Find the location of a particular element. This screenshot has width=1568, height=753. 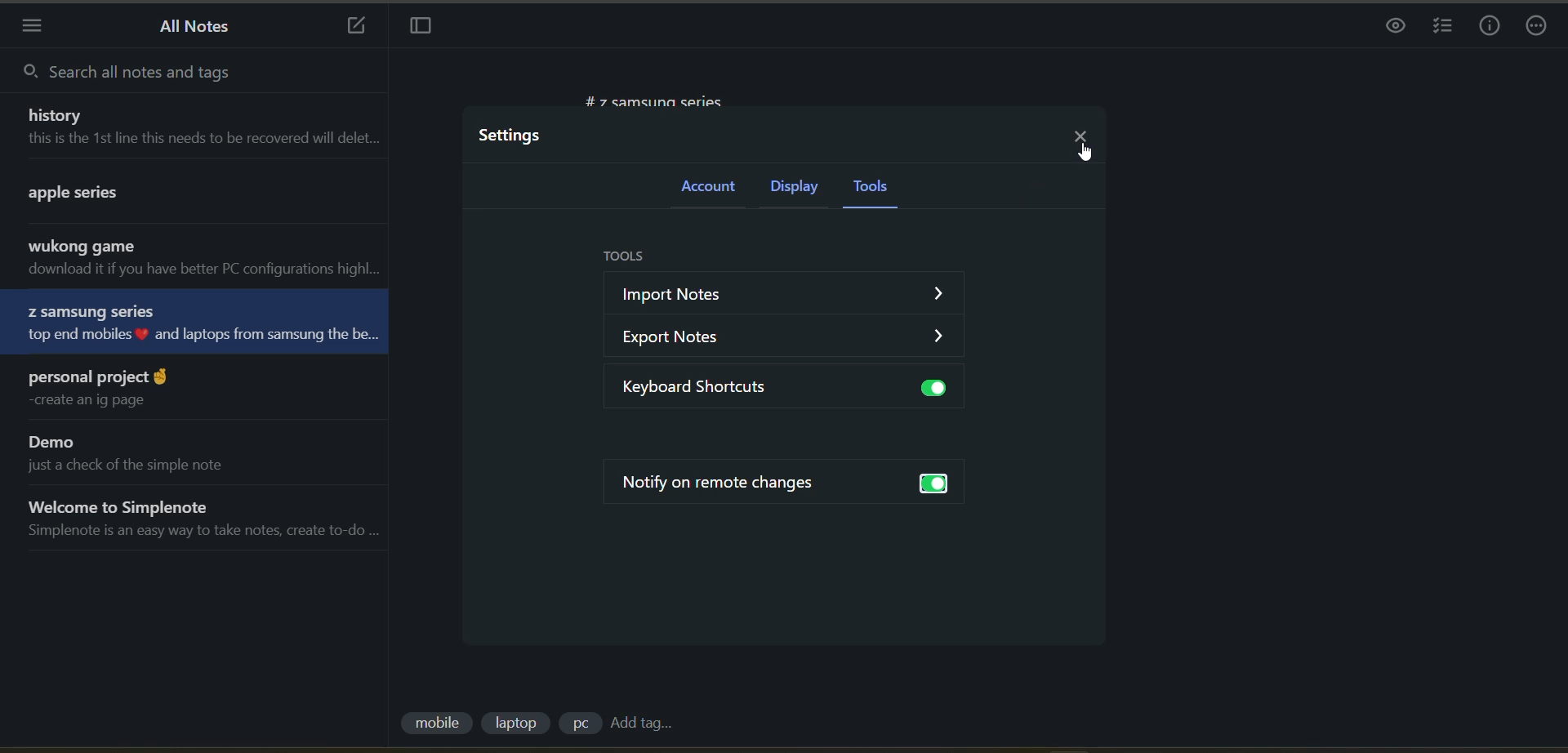

notify on remote changes enabled is located at coordinates (718, 487).